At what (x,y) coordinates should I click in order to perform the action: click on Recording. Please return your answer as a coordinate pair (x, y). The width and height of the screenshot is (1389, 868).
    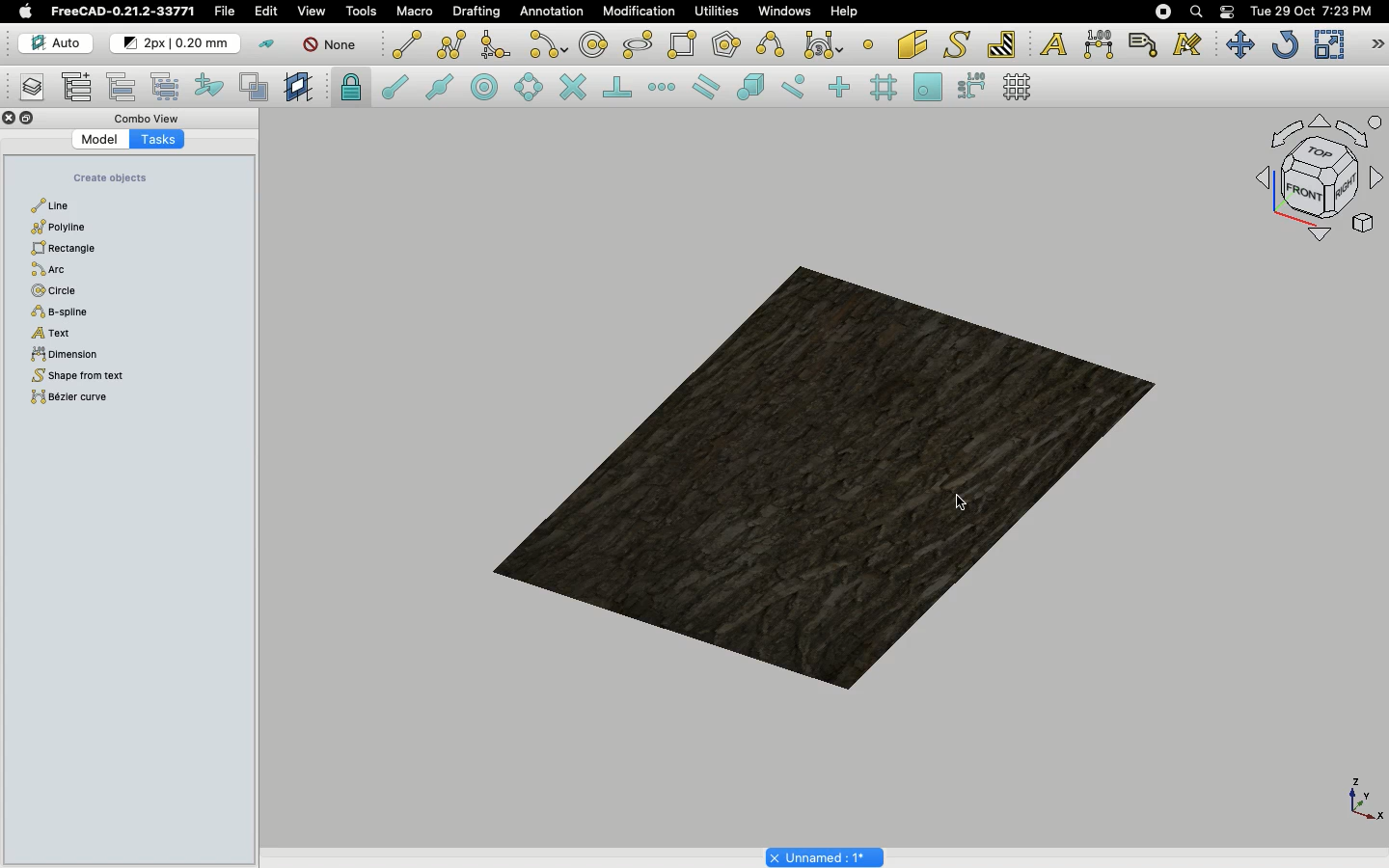
    Looking at the image, I should click on (1162, 11).